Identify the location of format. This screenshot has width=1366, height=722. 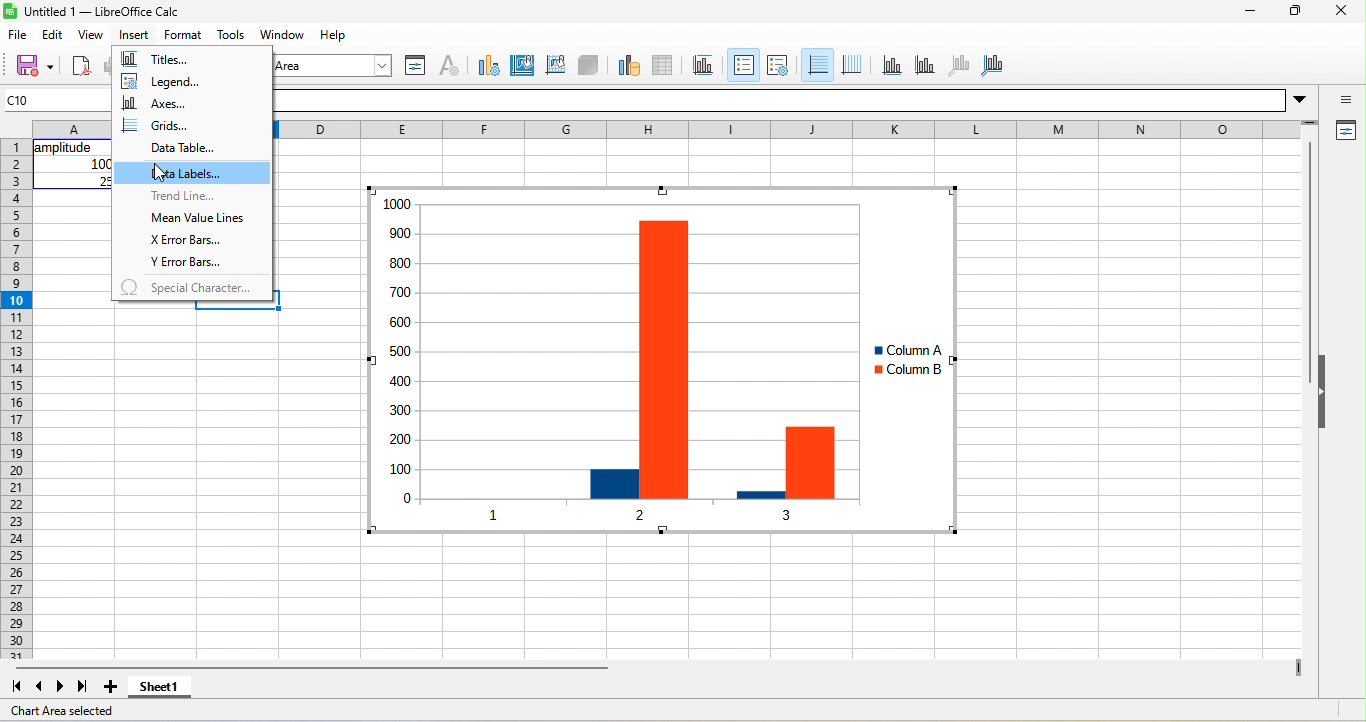
(187, 35).